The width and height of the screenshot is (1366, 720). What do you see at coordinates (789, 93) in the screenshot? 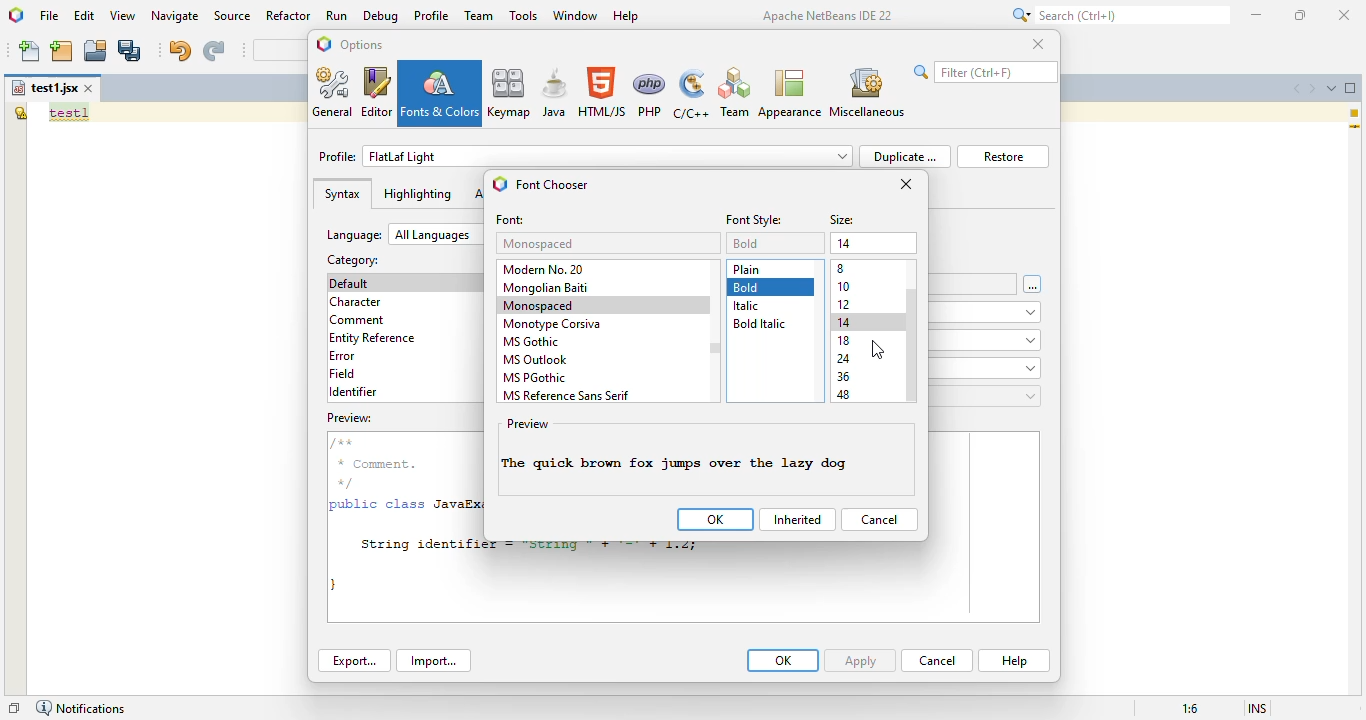
I see `appearance` at bounding box center [789, 93].